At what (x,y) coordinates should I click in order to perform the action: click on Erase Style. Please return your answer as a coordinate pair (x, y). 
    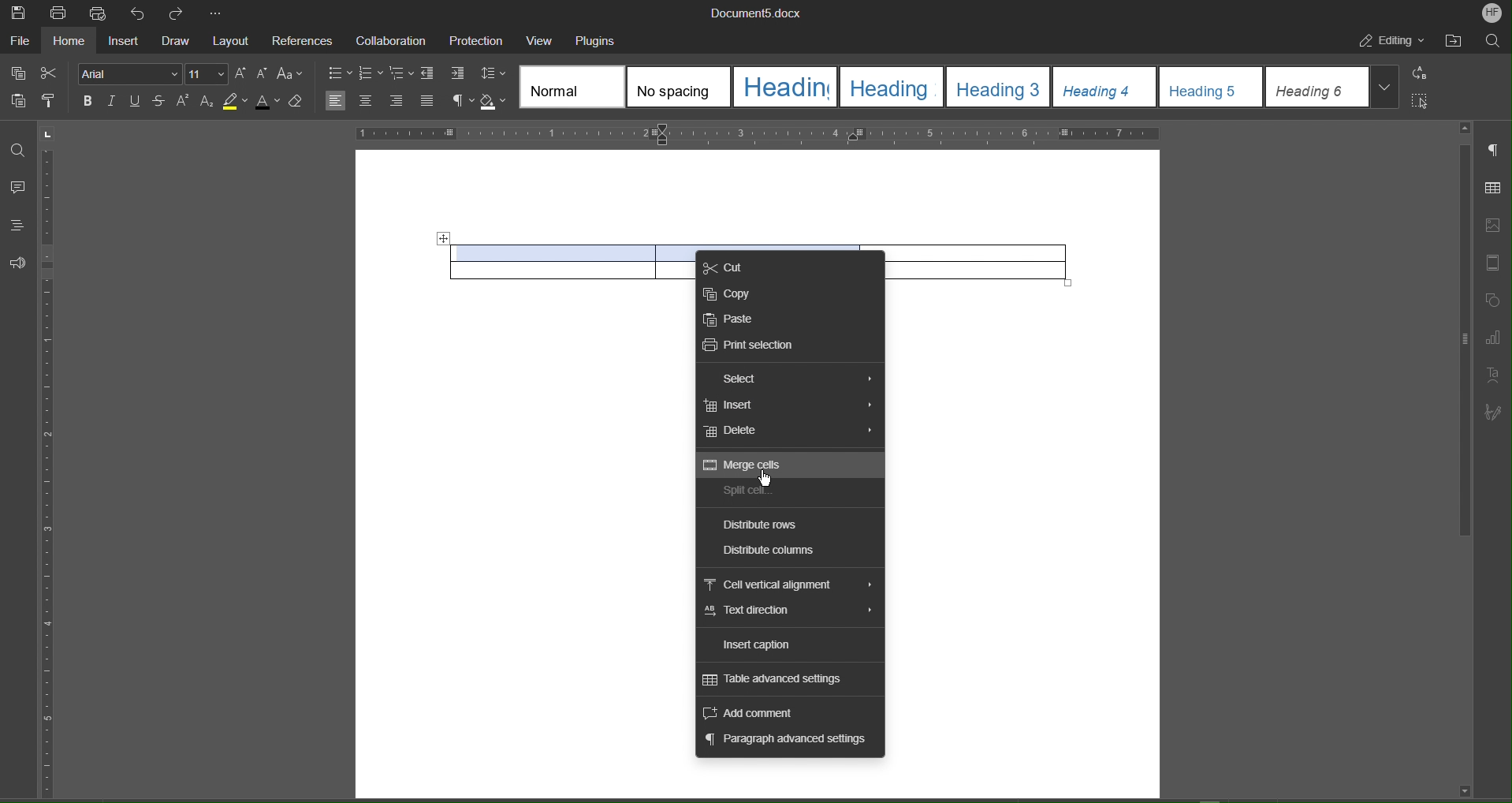
    Looking at the image, I should click on (298, 101).